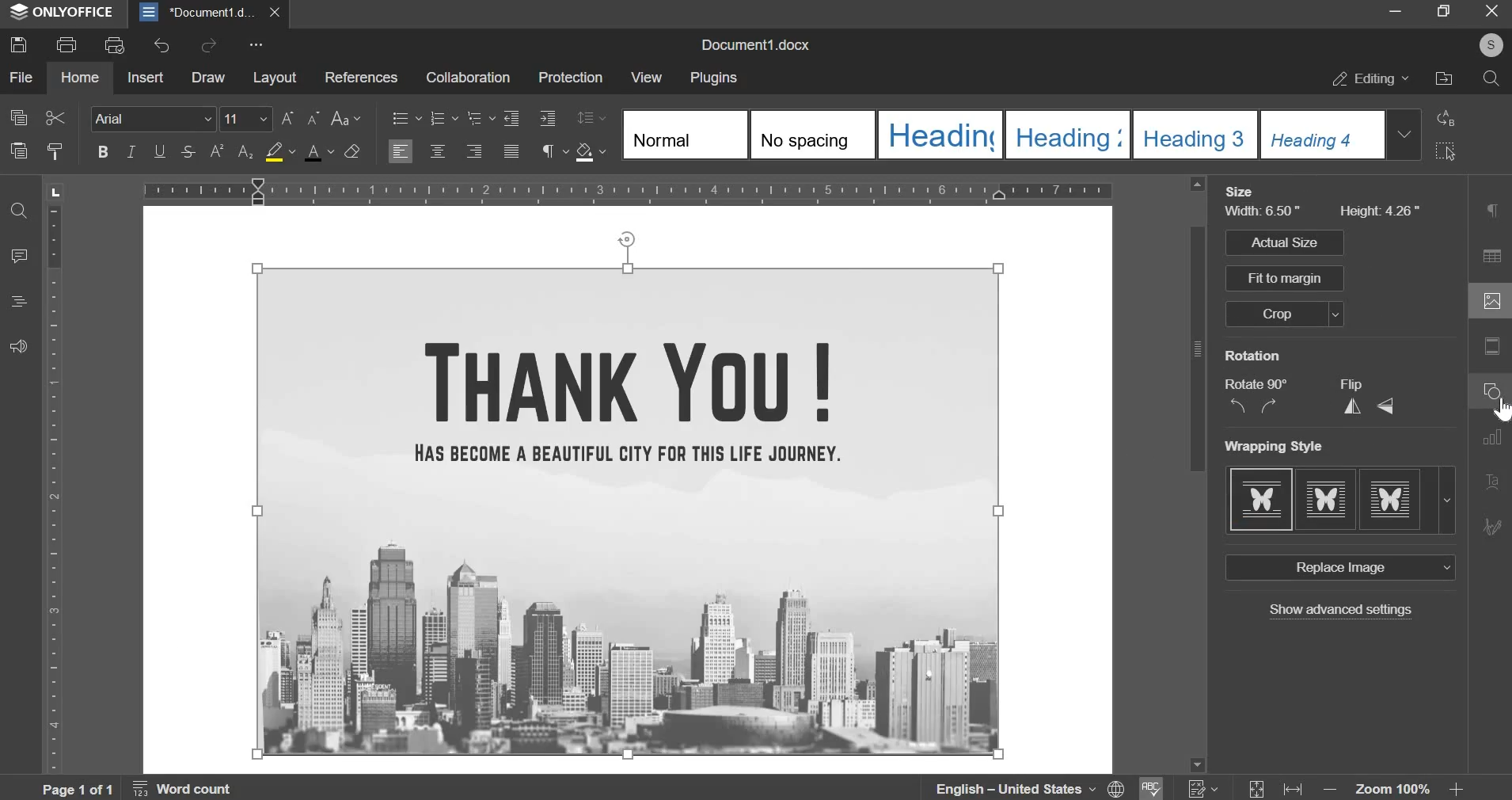 This screenshot has width=1512, height=800. Describe the element at coordinates (569, 79) in the screenshot. I see `protection` at that location.